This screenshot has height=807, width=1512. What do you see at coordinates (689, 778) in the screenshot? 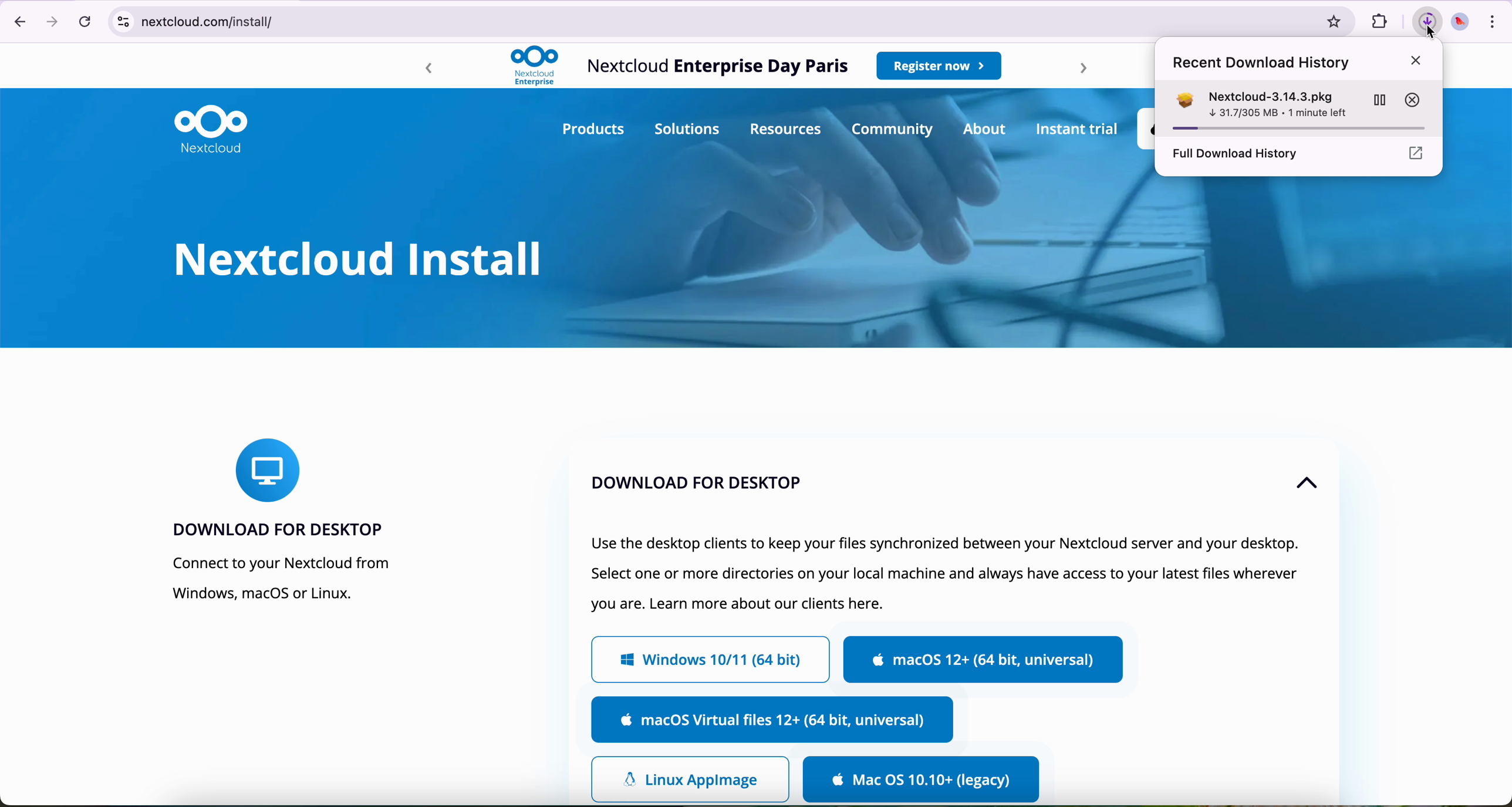
I see `Linux app image` at bounding box center [689, 778].